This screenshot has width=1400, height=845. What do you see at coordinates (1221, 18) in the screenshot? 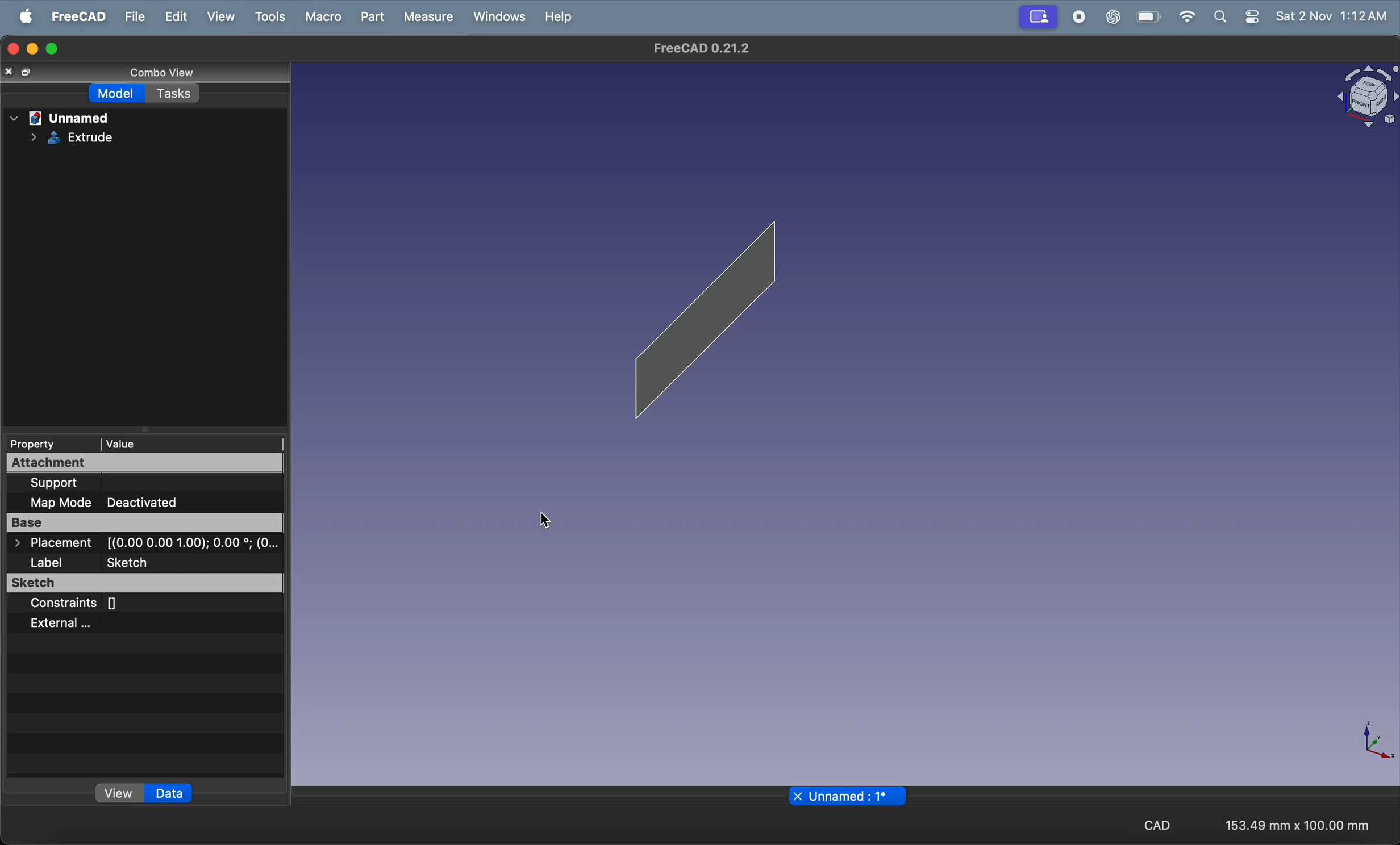
I see `search` at bounding box center [1221, 18].